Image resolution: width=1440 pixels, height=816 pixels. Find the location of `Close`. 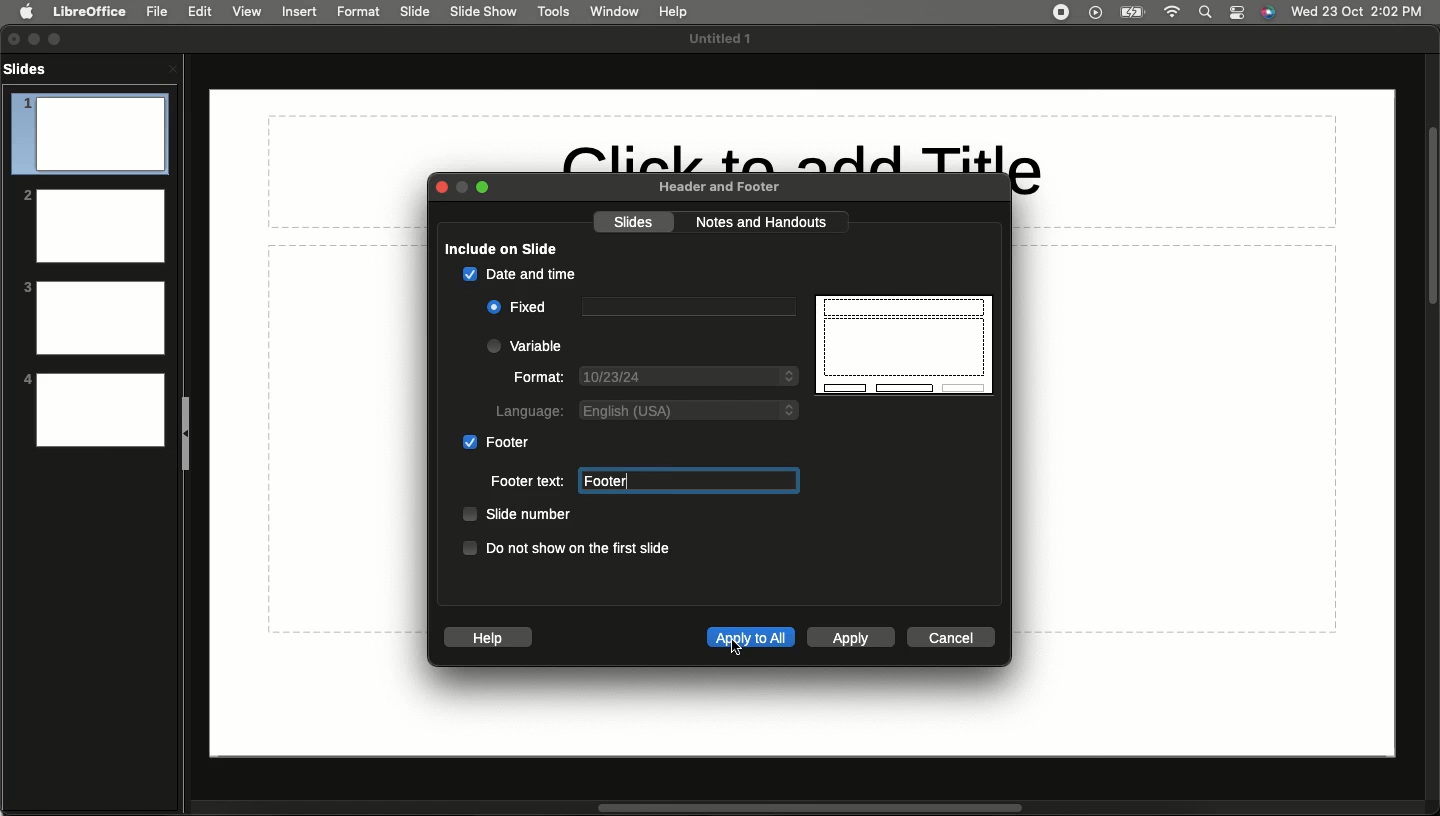

Close is located at coordinates (448, 189).